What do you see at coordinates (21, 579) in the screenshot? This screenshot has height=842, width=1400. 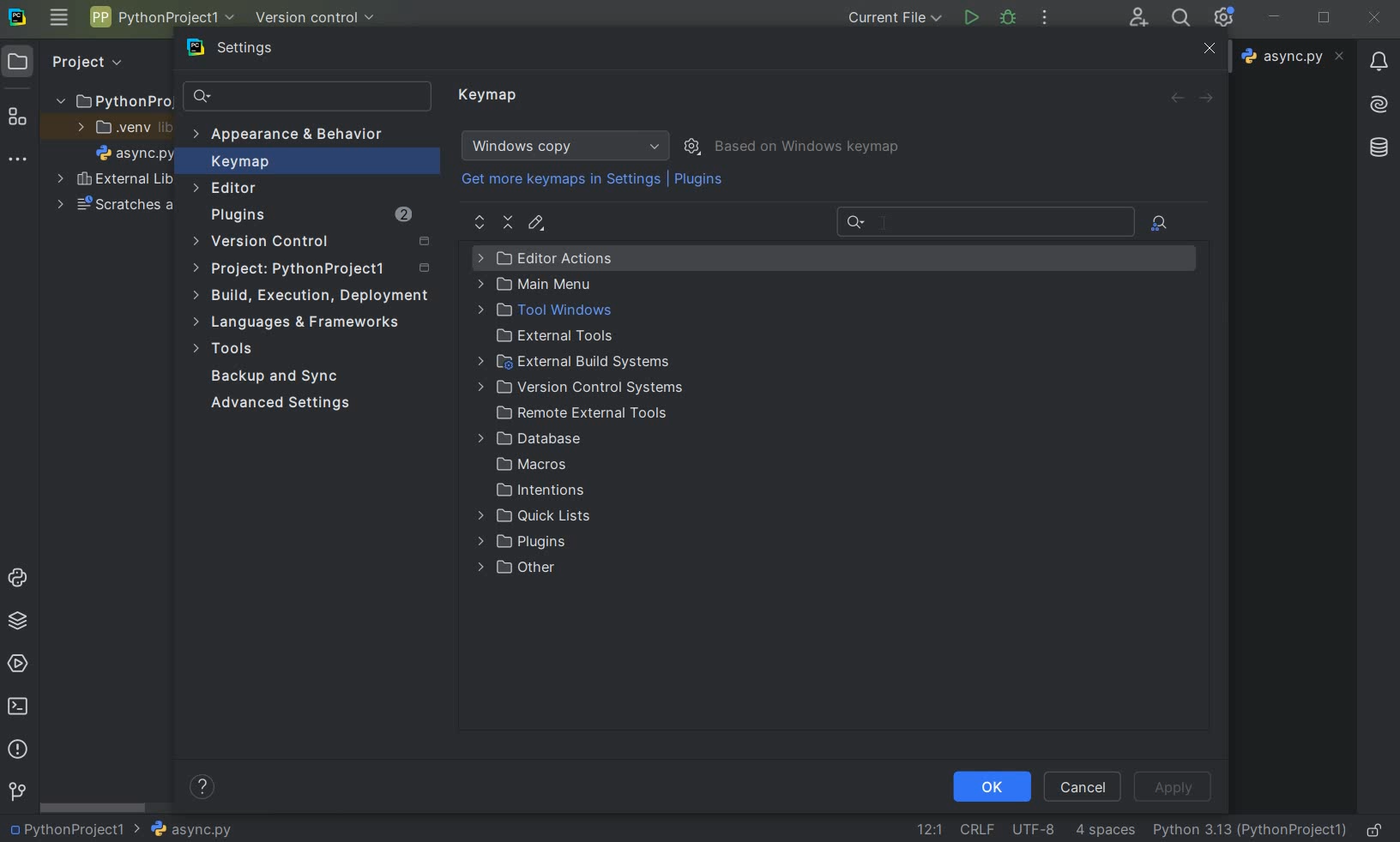 I see `python console` at bounding box center [21, 579].